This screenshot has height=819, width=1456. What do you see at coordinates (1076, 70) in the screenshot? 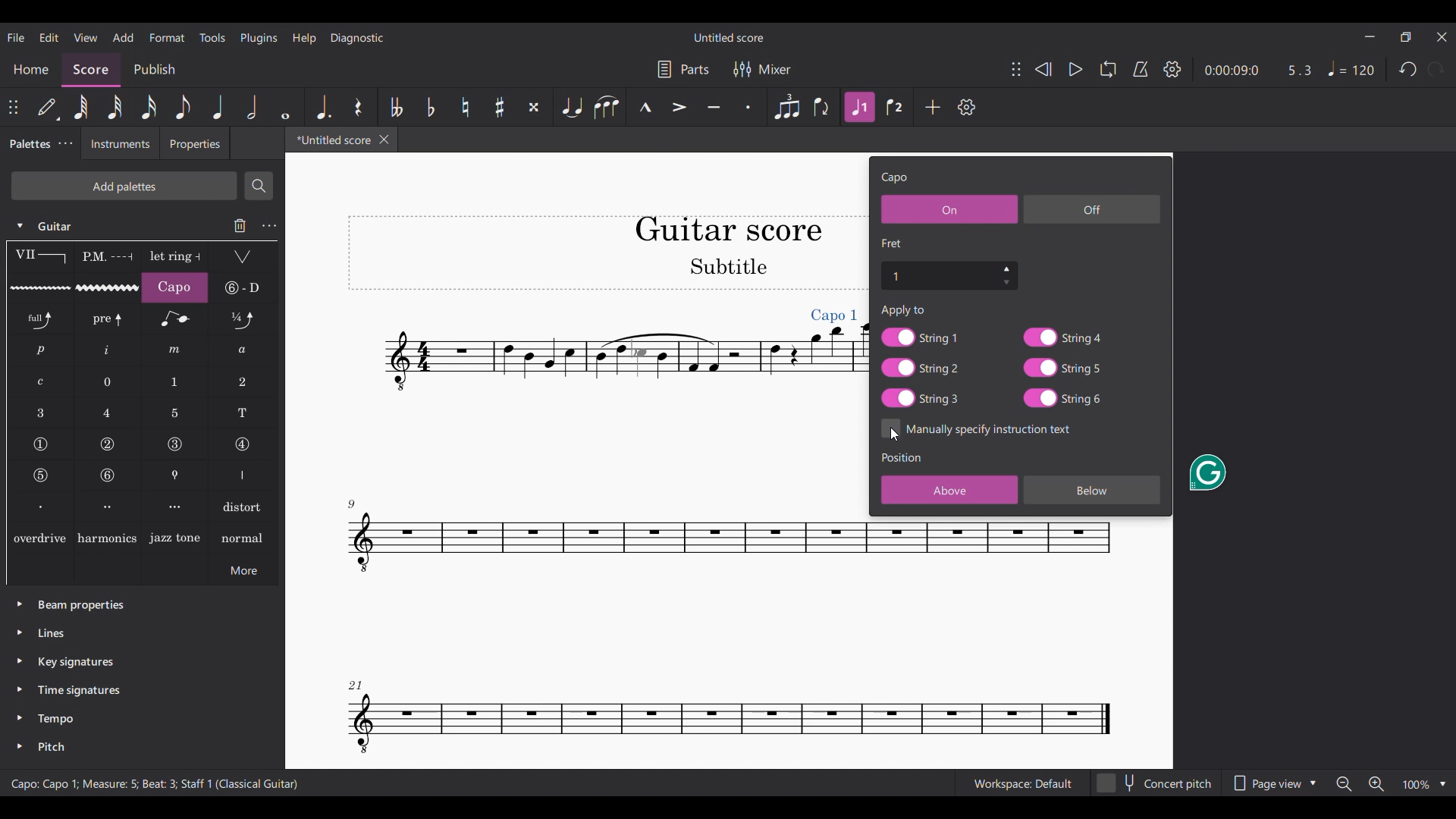
I see `Play` at bounding box center [1076, 70].